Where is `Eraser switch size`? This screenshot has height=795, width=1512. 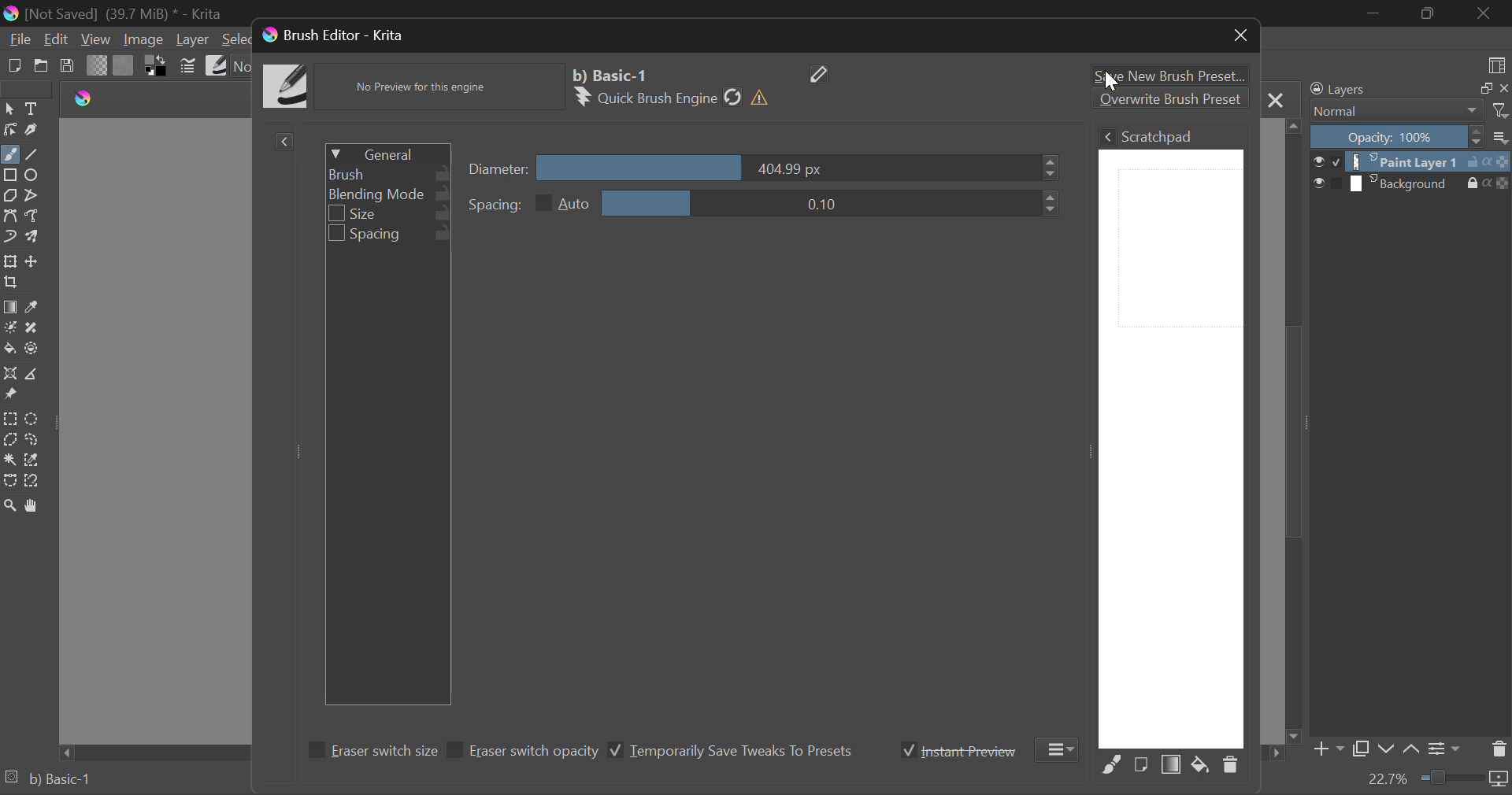
Eraser switch size is located at coordinates (370, 752).